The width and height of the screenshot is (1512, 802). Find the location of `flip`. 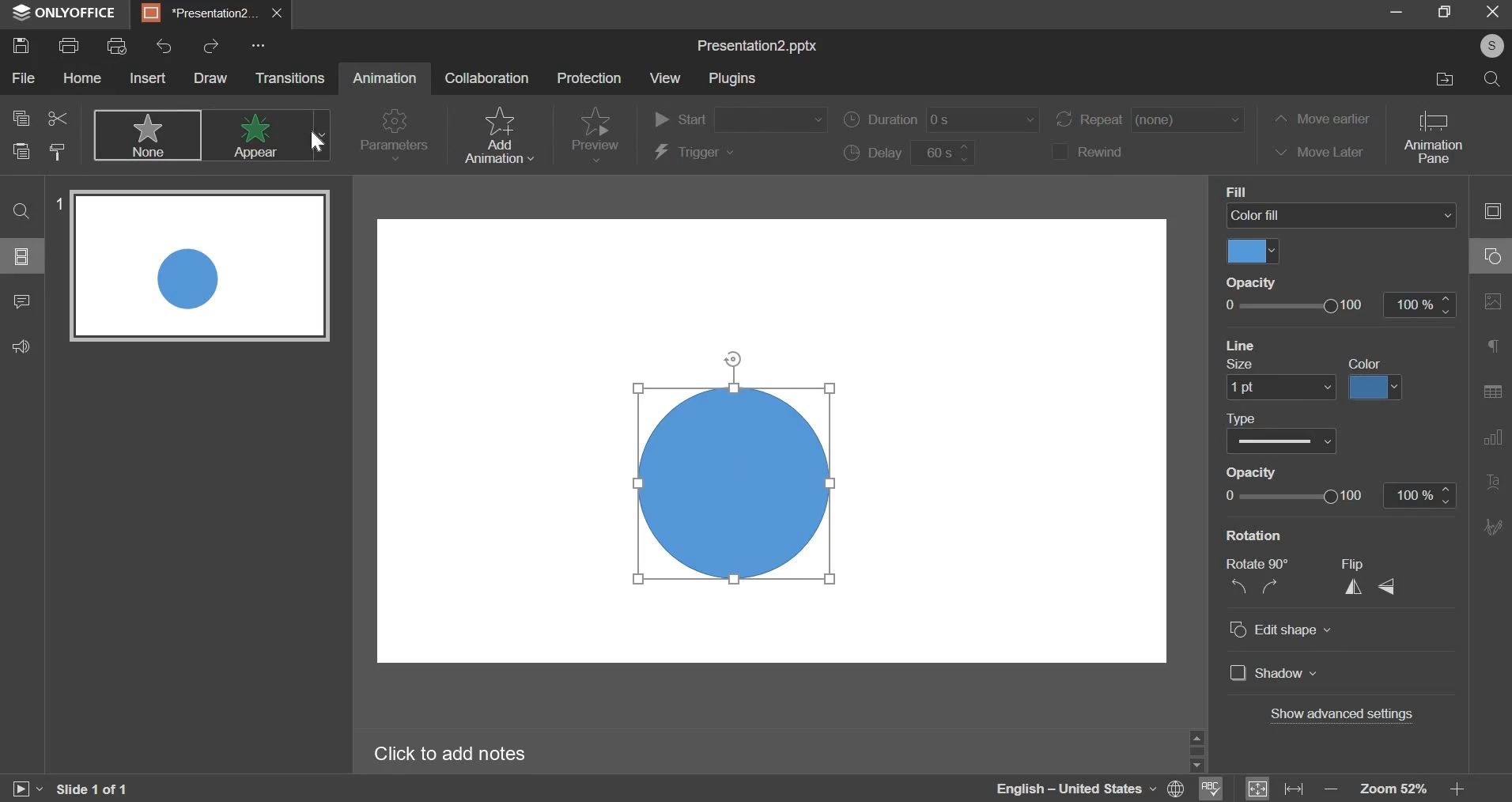

flip is located at coordinates (1370, 579).